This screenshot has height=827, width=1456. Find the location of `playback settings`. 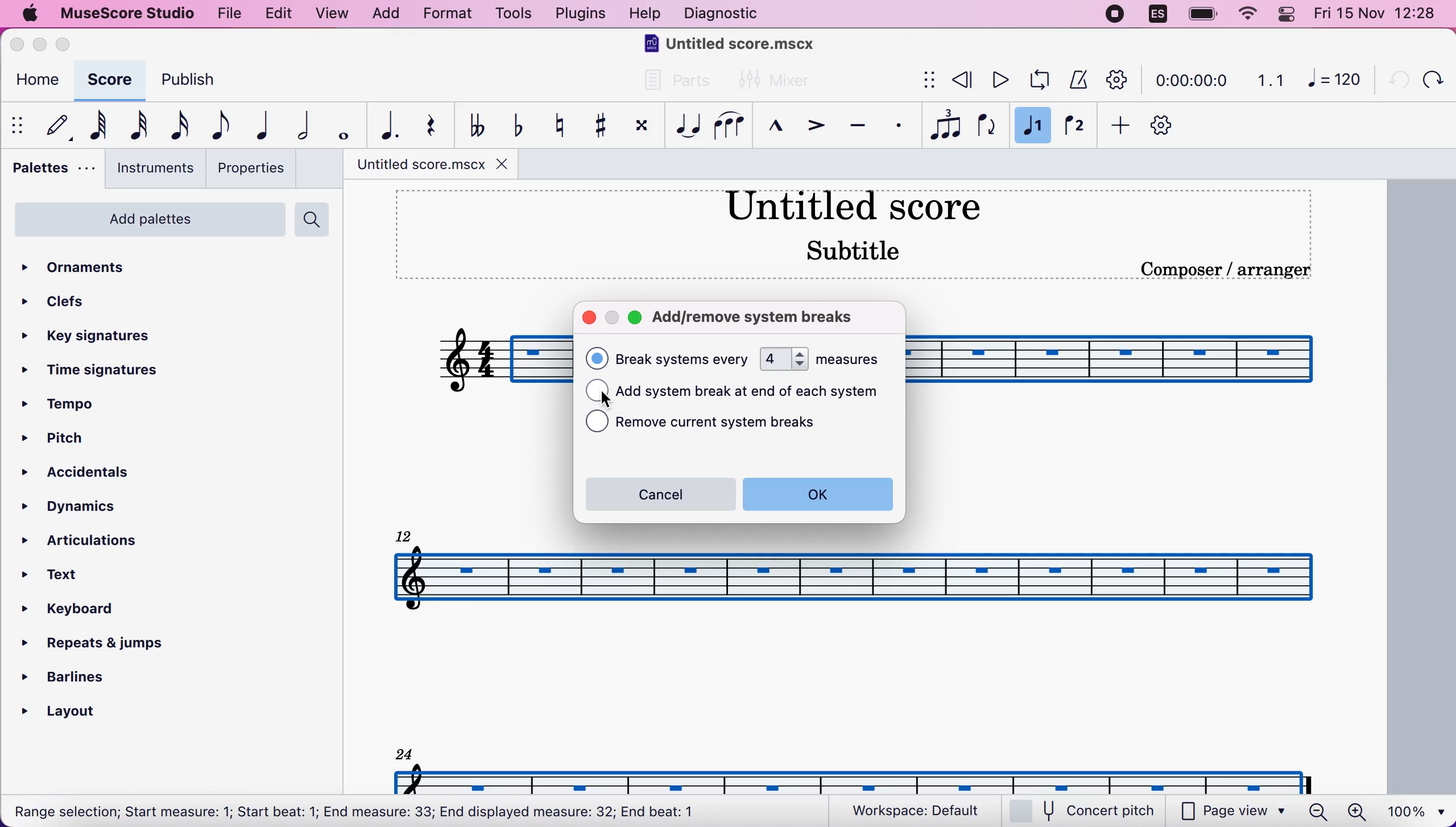

playback settings is located at coordinates (1118, 79).